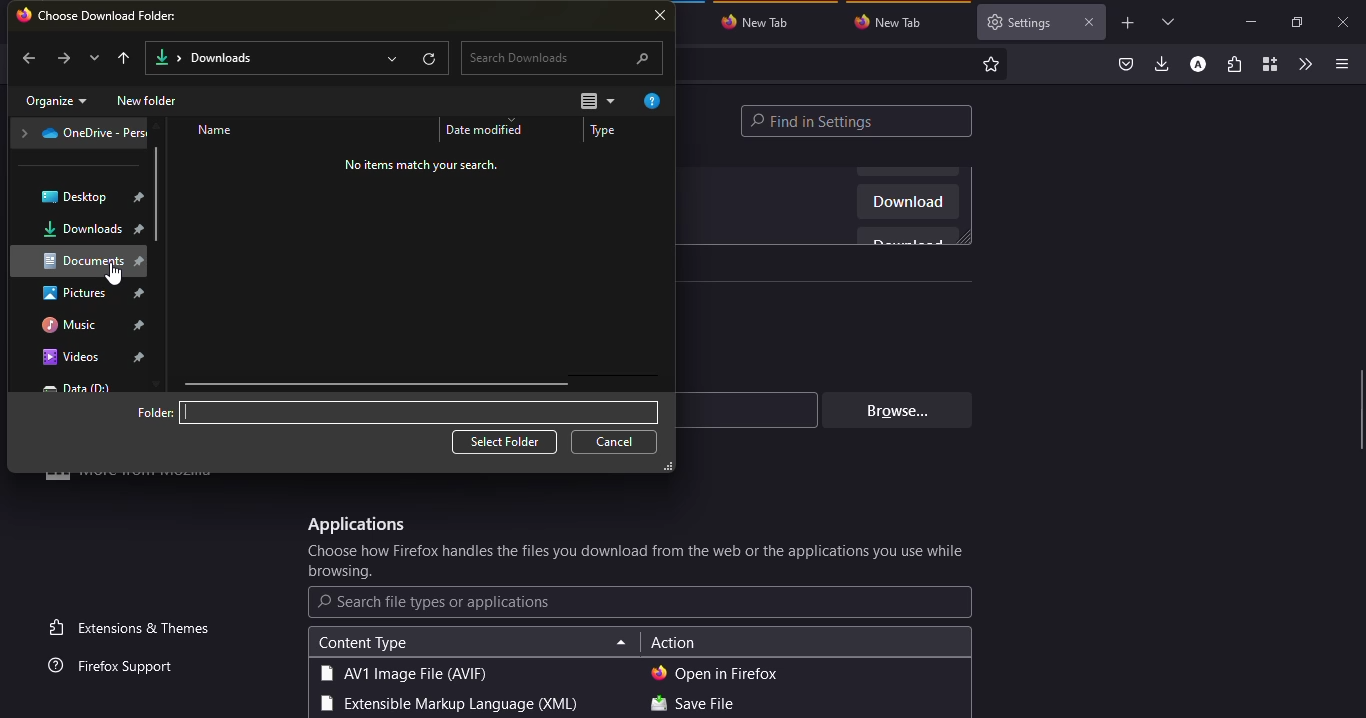 The image size is (1366, 718). Describe the element at coordinates (655, 101) in the screenshot. I see `info` at that location.